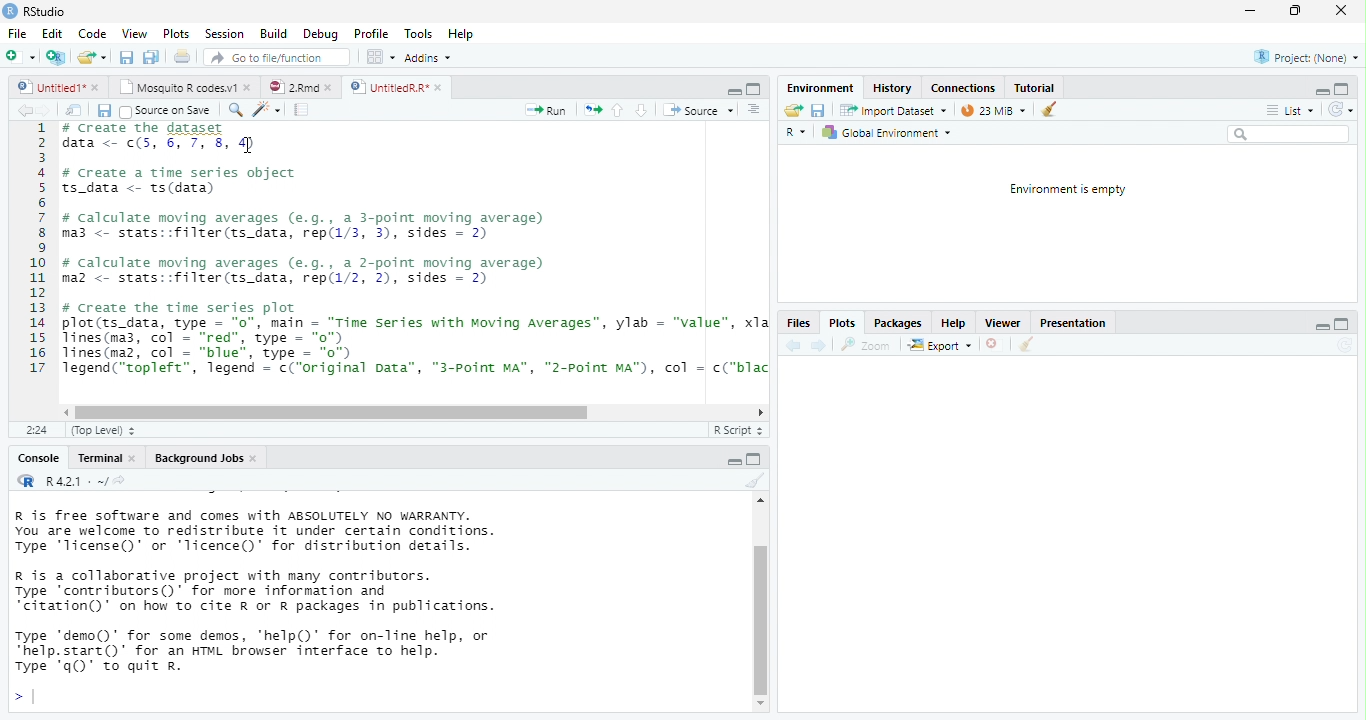 The width and height of the screenshot is (1366, 720). What do you see at coordinates (273, 57) in the screenshot?
I see `Go to file/function` at bounding box center [273, 57].